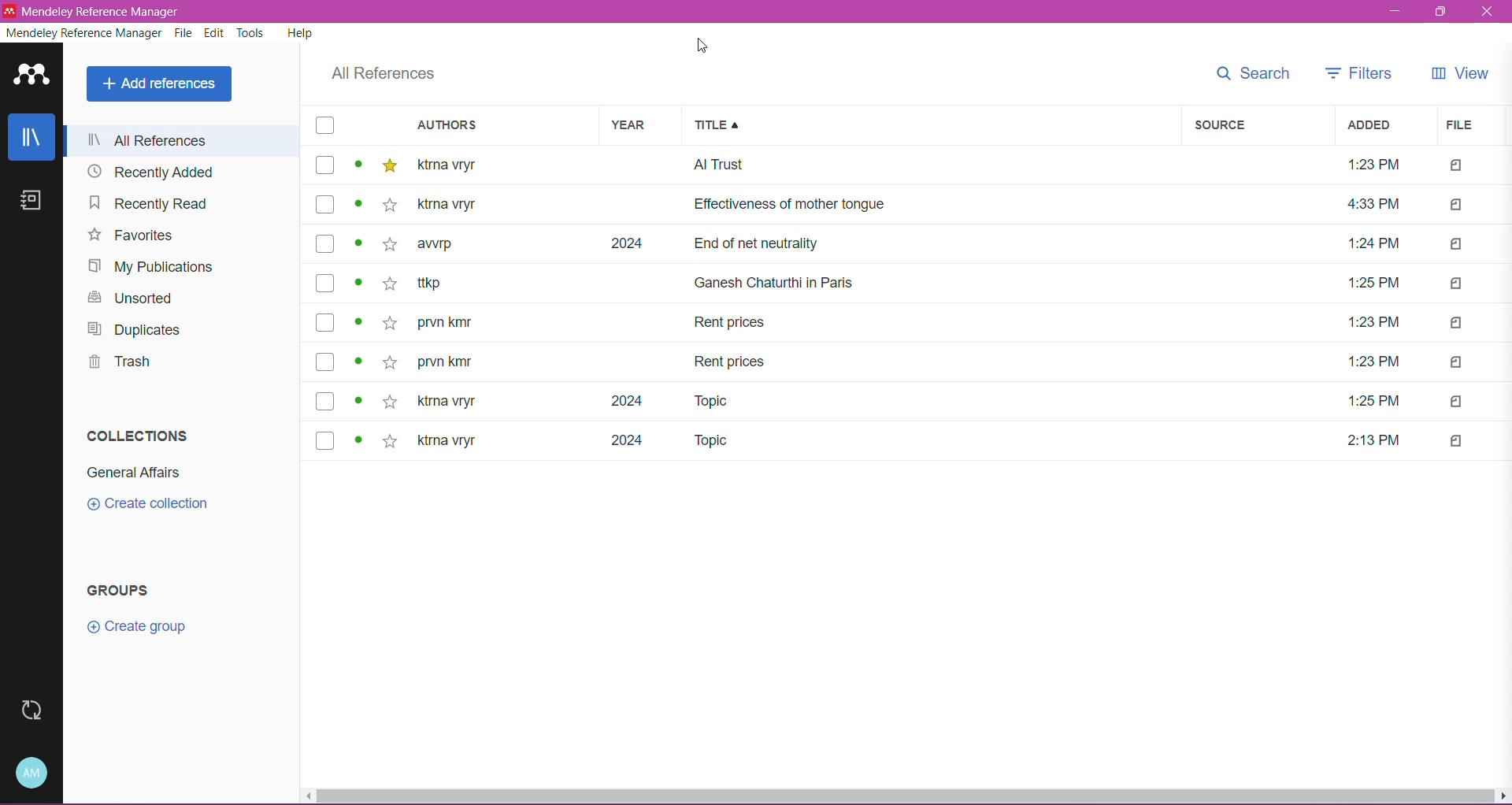 The width and height of the screenshot is (1512, 805). I want to click on Added, so click(1382, 124).